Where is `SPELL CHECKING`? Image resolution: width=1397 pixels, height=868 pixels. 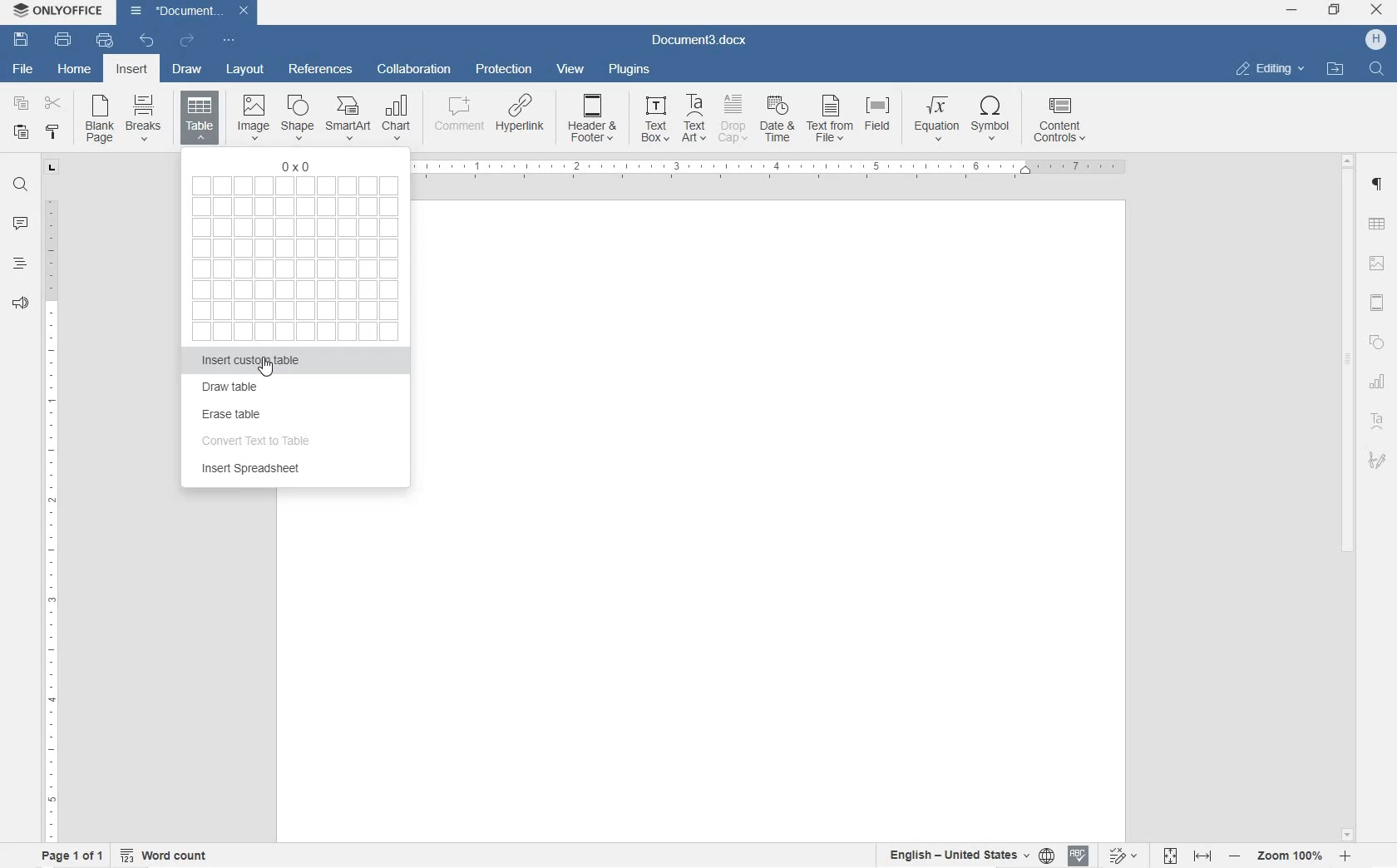
SPELL CHECKING is located at coordinates (1077, 856).